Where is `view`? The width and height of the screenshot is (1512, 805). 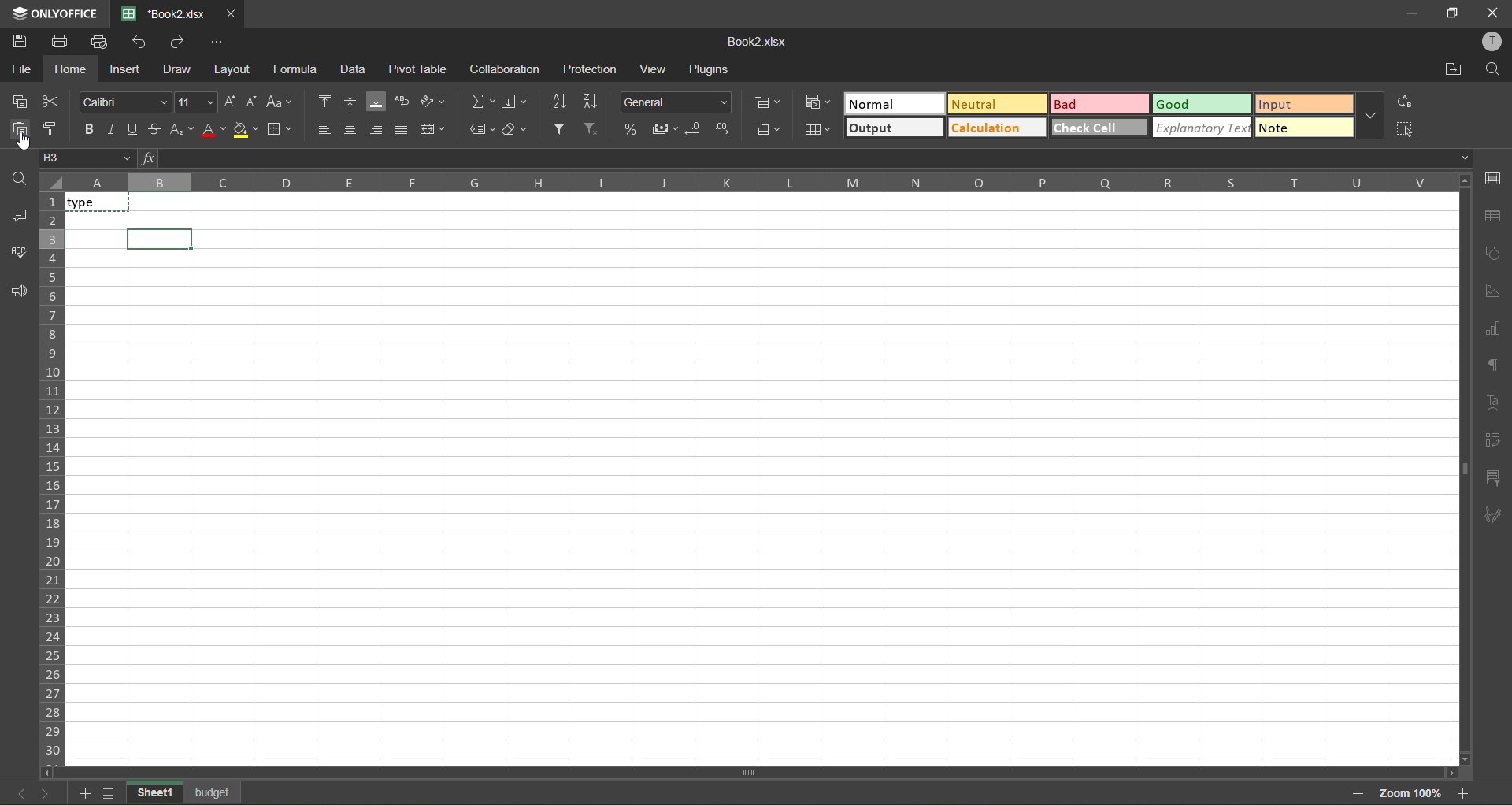
view is located at coordinates (652, 69).